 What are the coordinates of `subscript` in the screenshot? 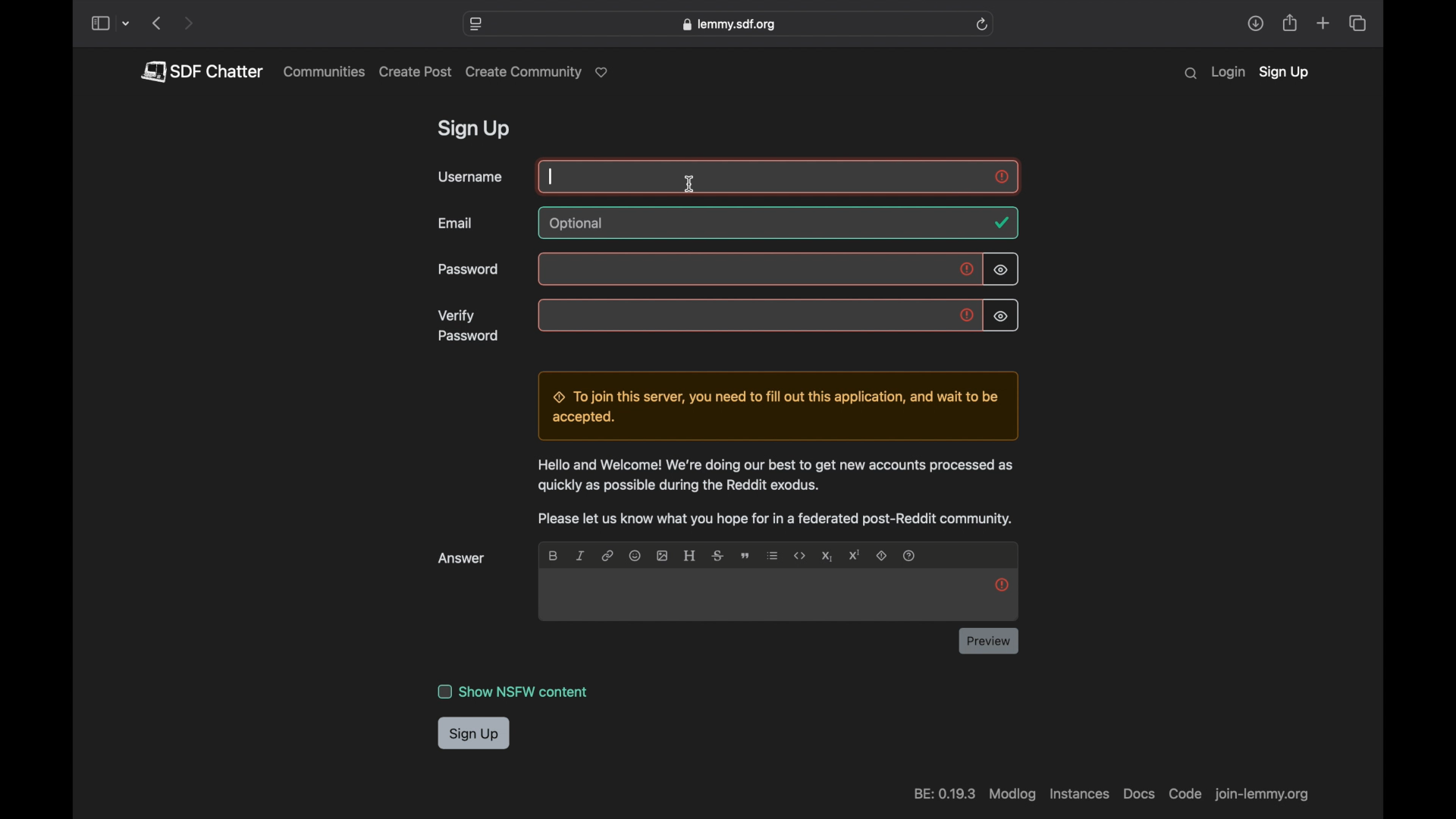 It's located at (827, 557).